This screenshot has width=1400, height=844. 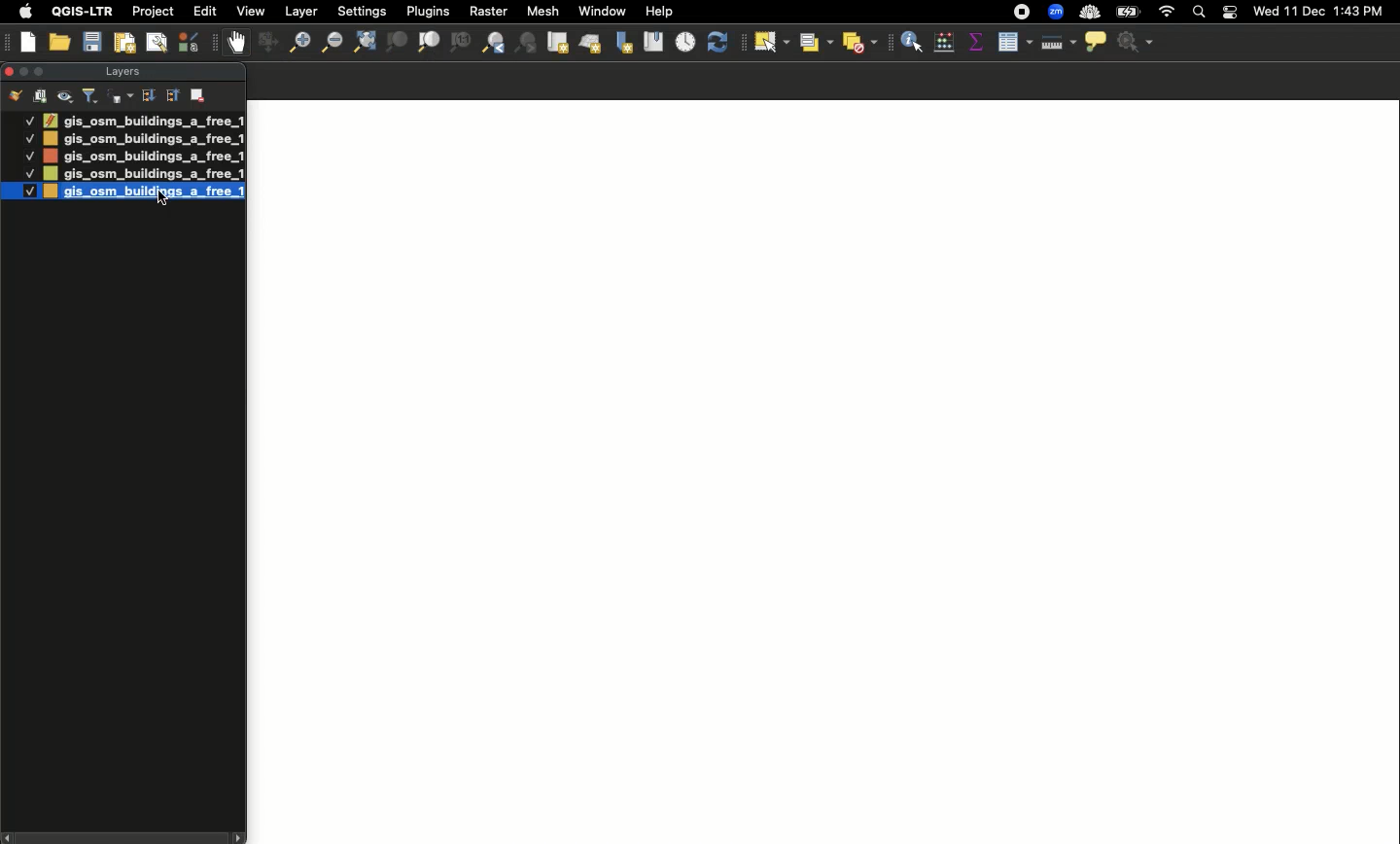 I want to click on Layer , so click(x=121, y=73).